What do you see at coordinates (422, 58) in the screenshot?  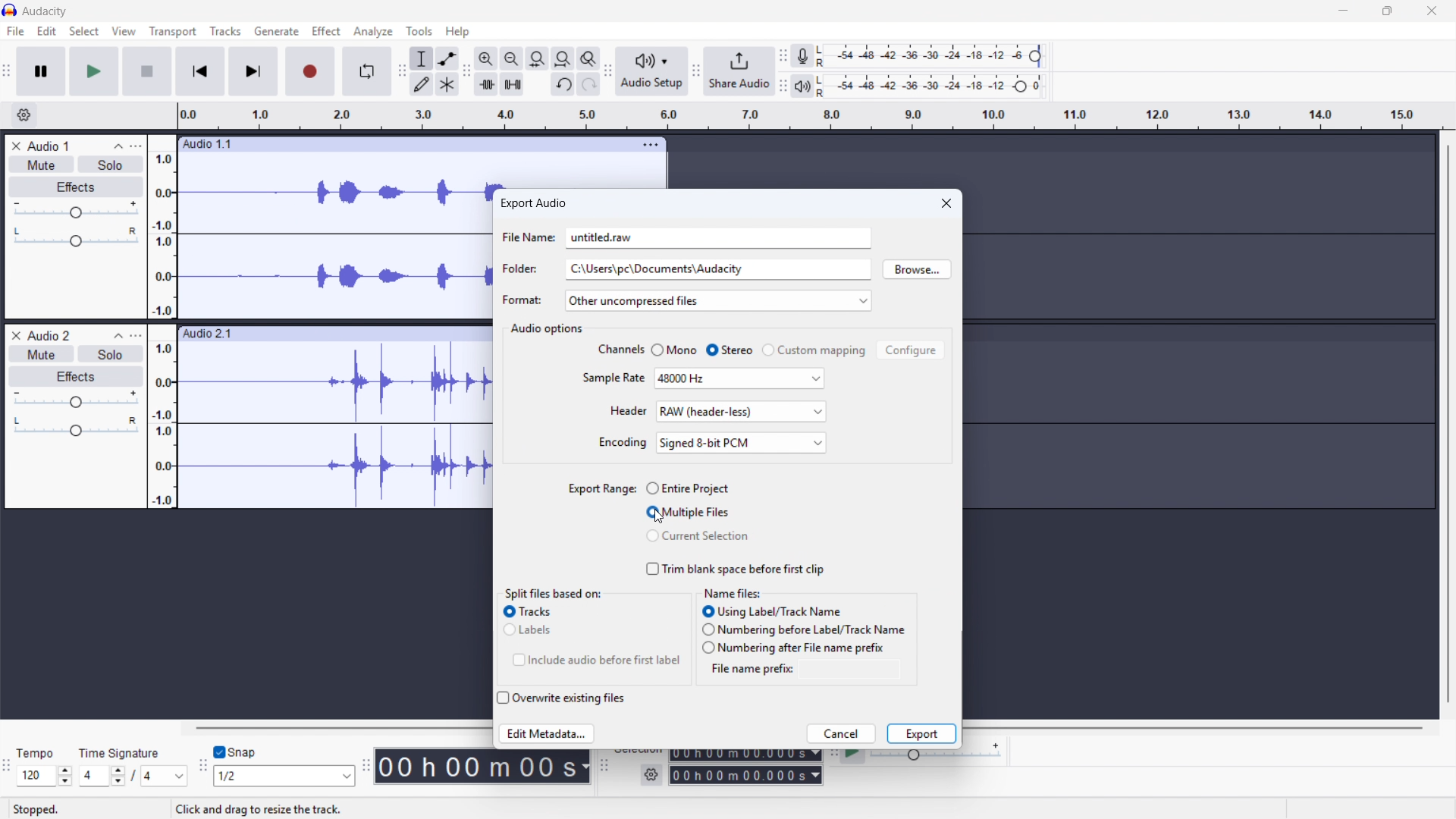 I see `Selection tool` at bounding box center [422, 58].